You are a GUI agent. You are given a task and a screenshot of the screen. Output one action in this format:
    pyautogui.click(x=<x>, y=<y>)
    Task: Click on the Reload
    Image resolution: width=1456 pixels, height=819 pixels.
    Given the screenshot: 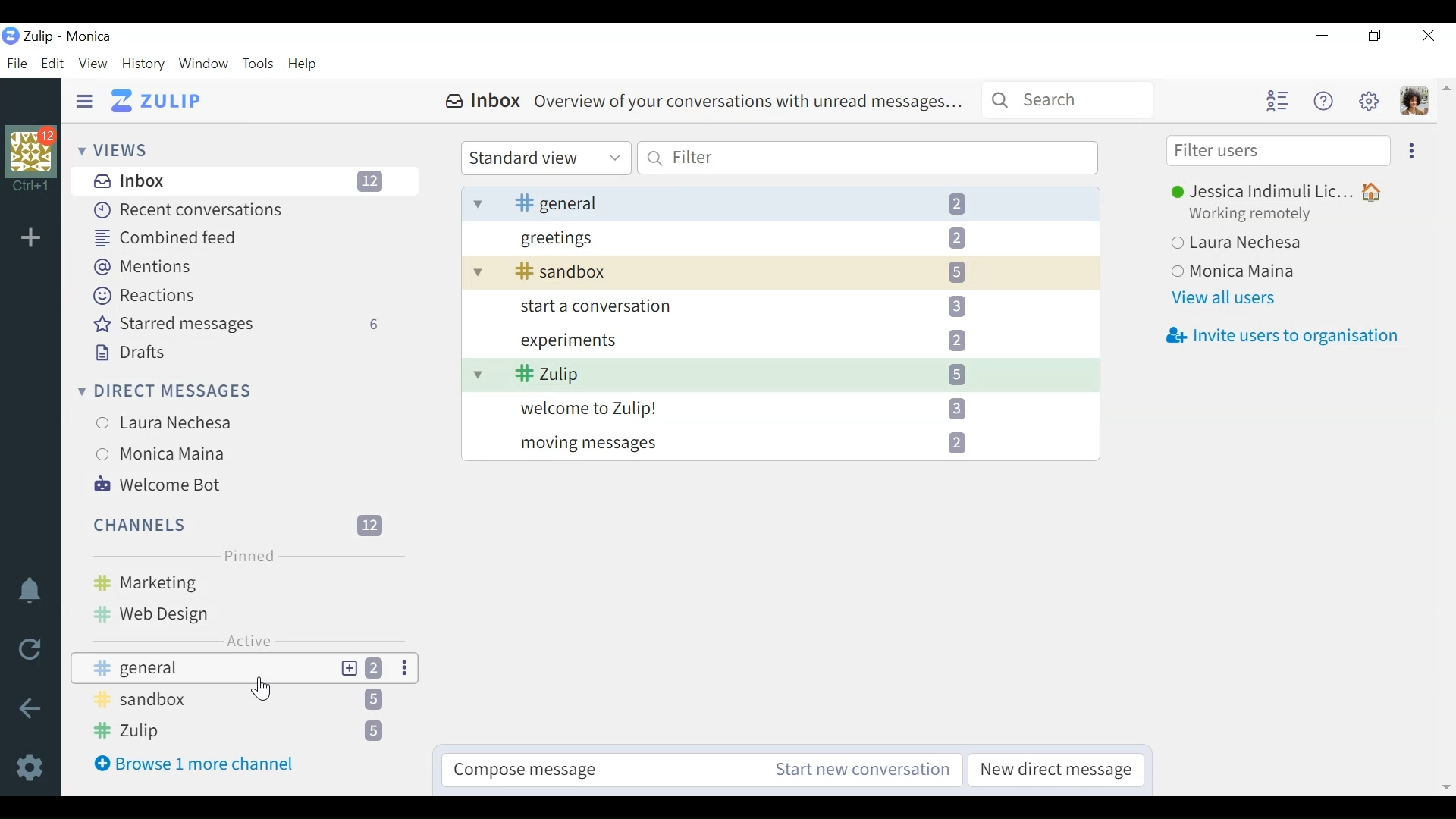 What is the action you would take?
    pyautogui.click(x=35, y=651)
    